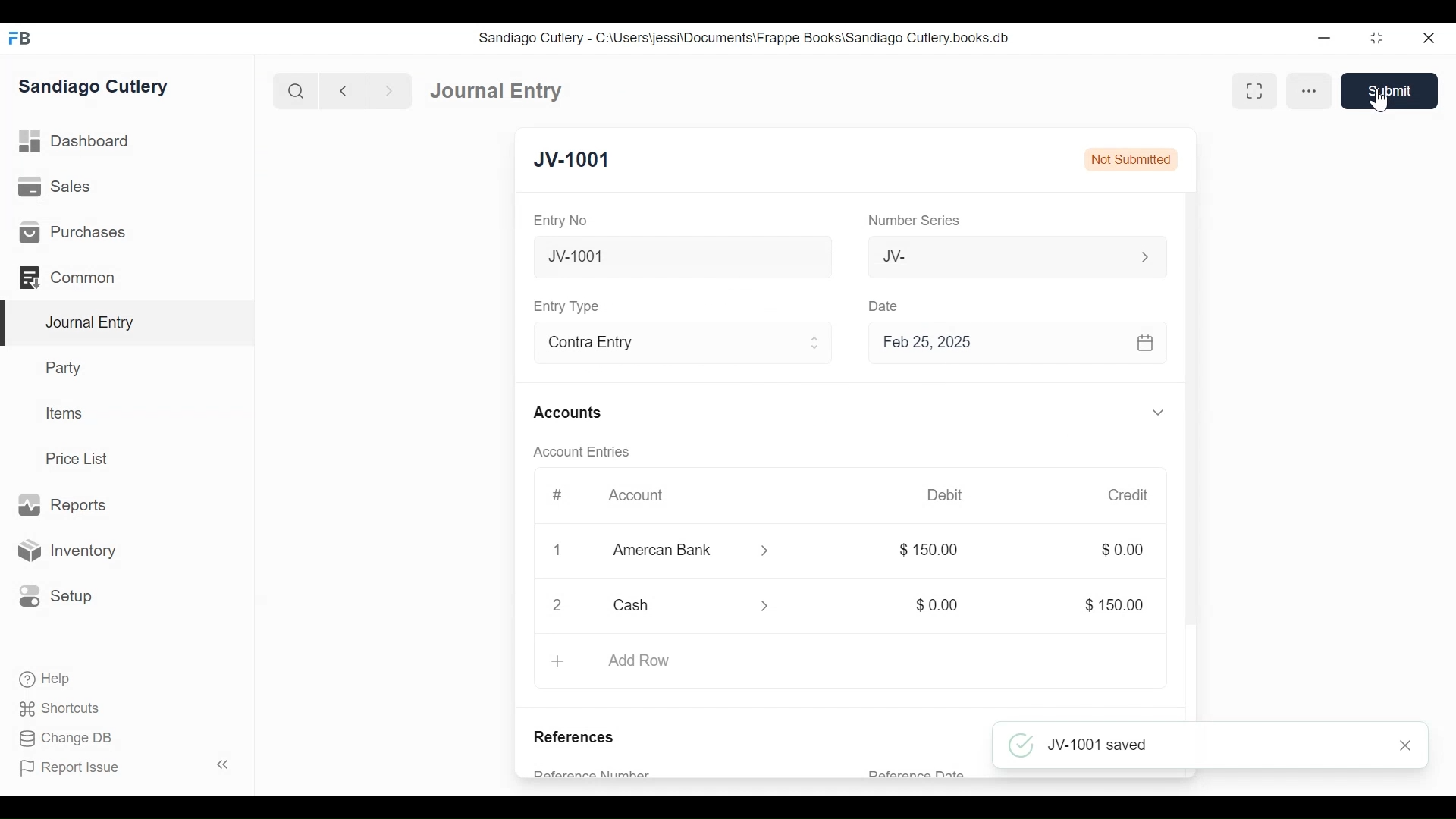 Image resolution: width=1456 pixels, height=819 pixels. I want to click on Expand, so click(767, 551).